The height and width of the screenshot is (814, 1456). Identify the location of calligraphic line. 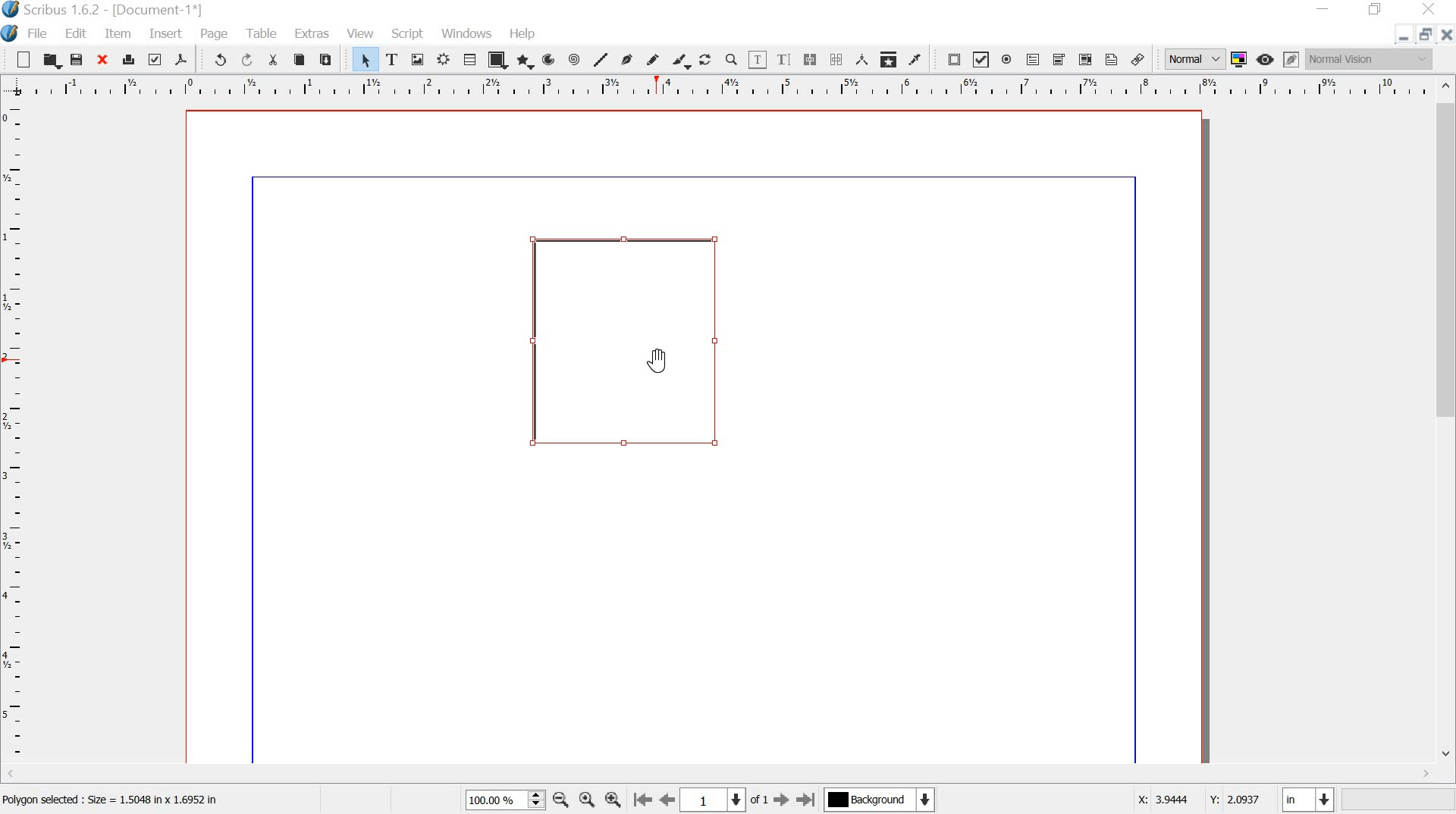
(682, 62).